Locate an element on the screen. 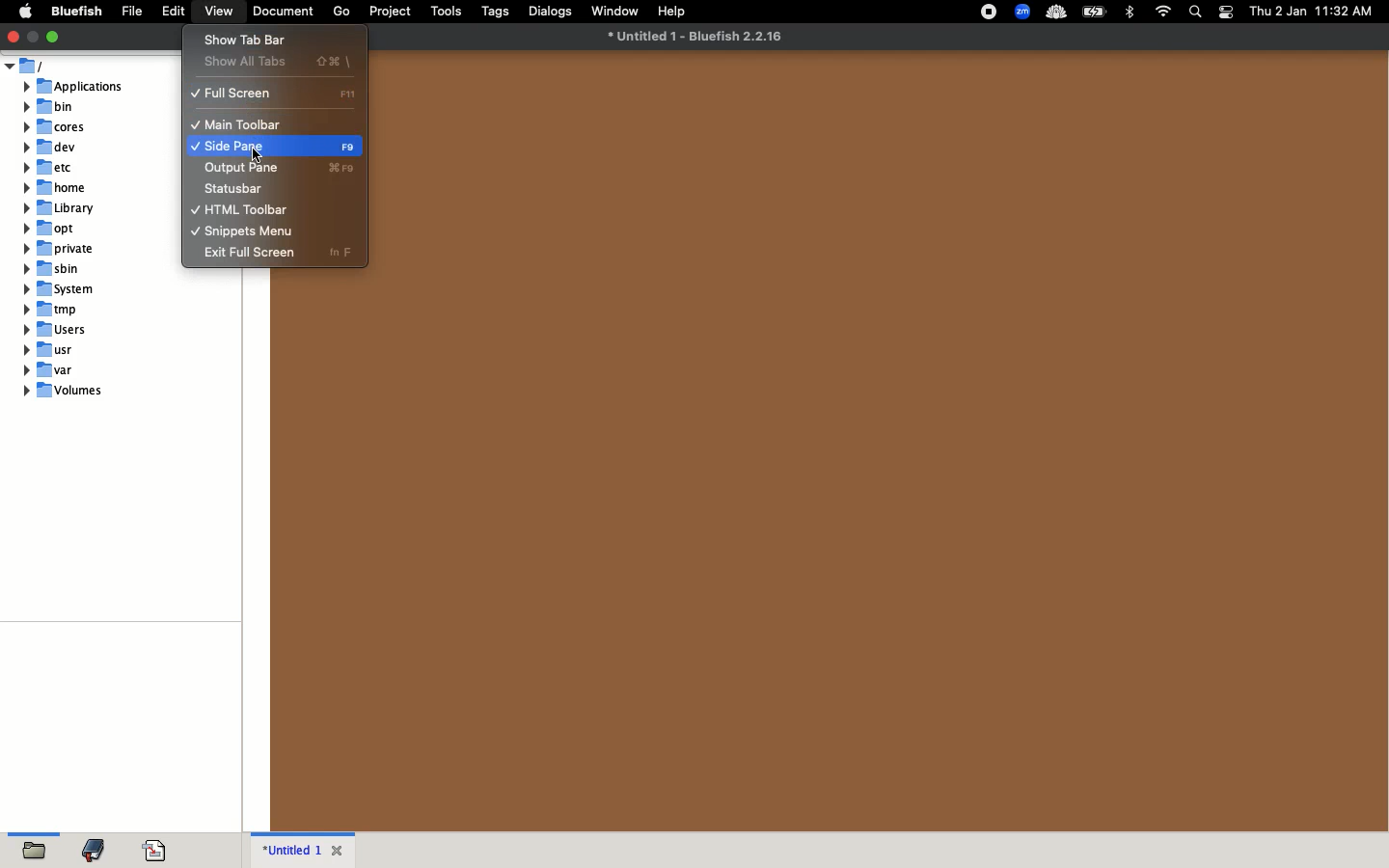  bluefish is located at coordinates (76, 12).